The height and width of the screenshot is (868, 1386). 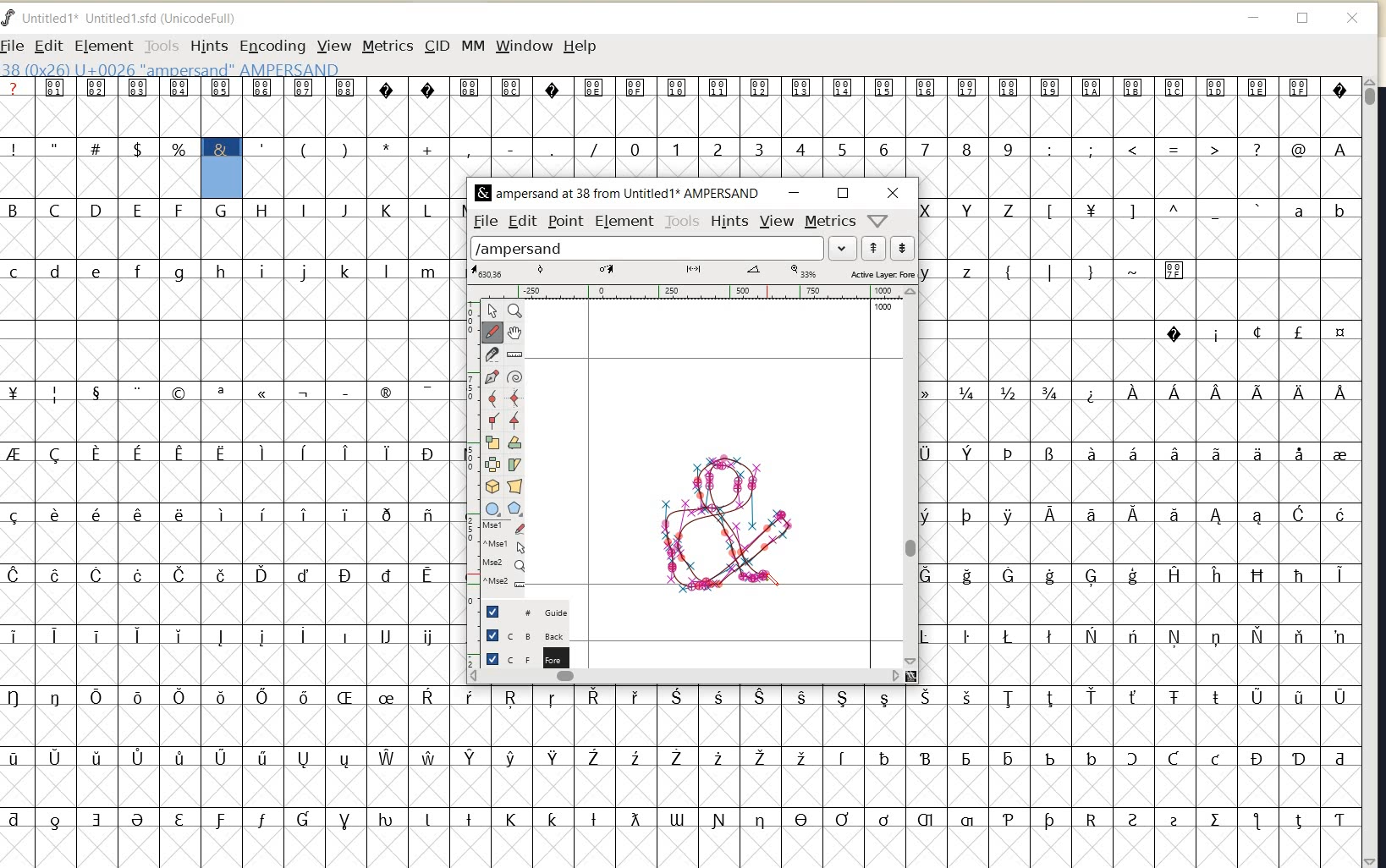 I want to click on draw a freehand curve, so click(x=493, y=332).